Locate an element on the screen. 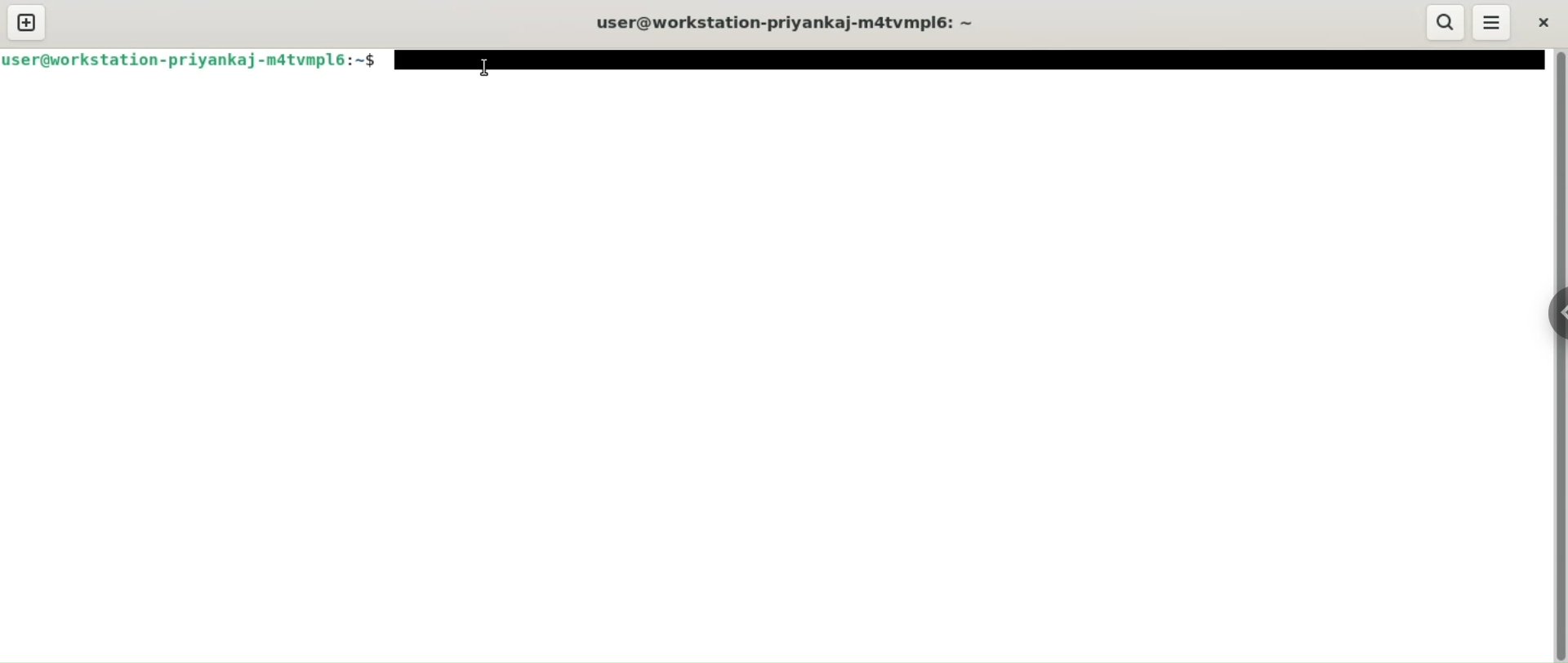  close is located at coordinates (1541, 21).